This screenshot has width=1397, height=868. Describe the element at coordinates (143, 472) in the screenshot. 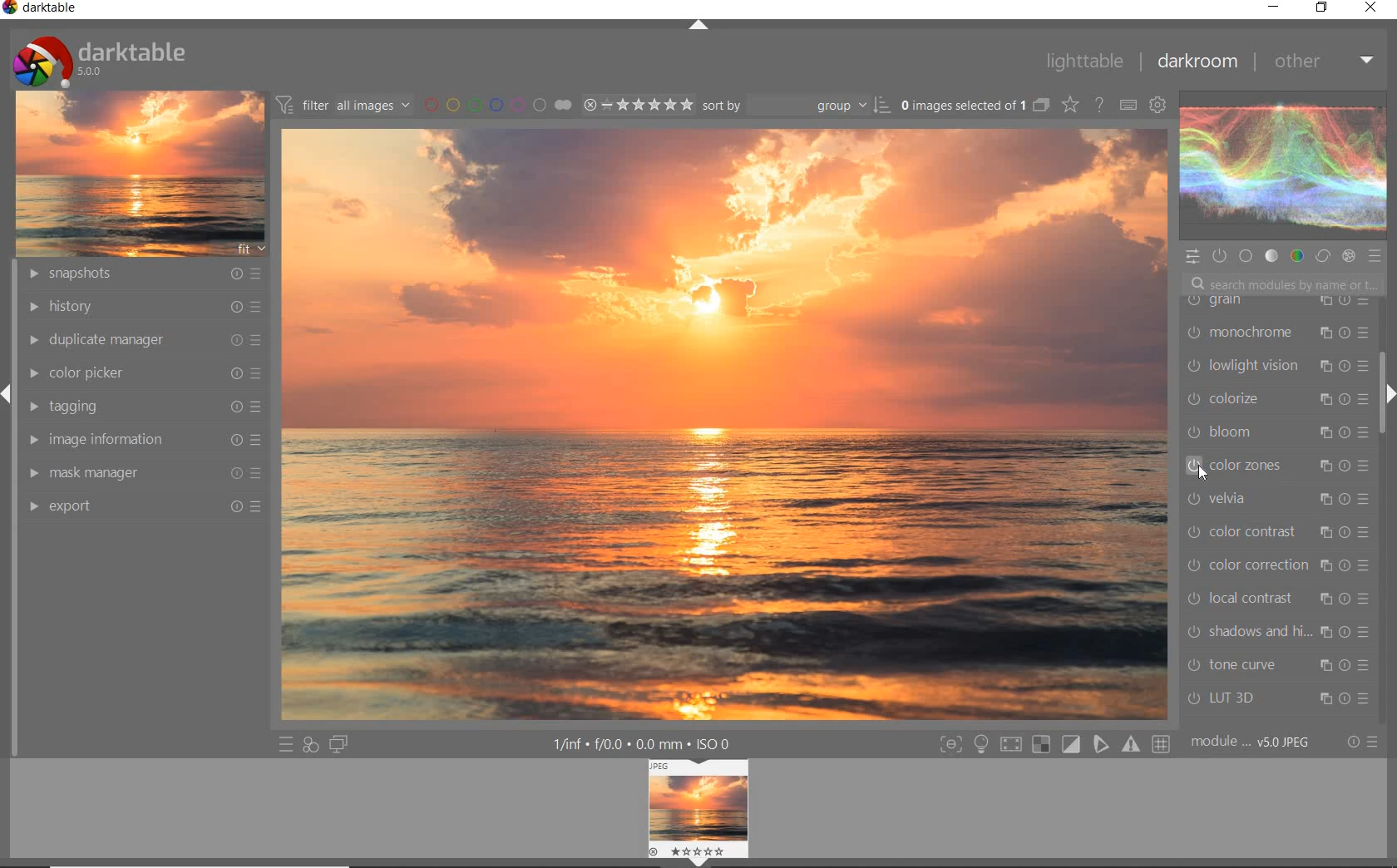

I see `MASK MANAGER` at that location.